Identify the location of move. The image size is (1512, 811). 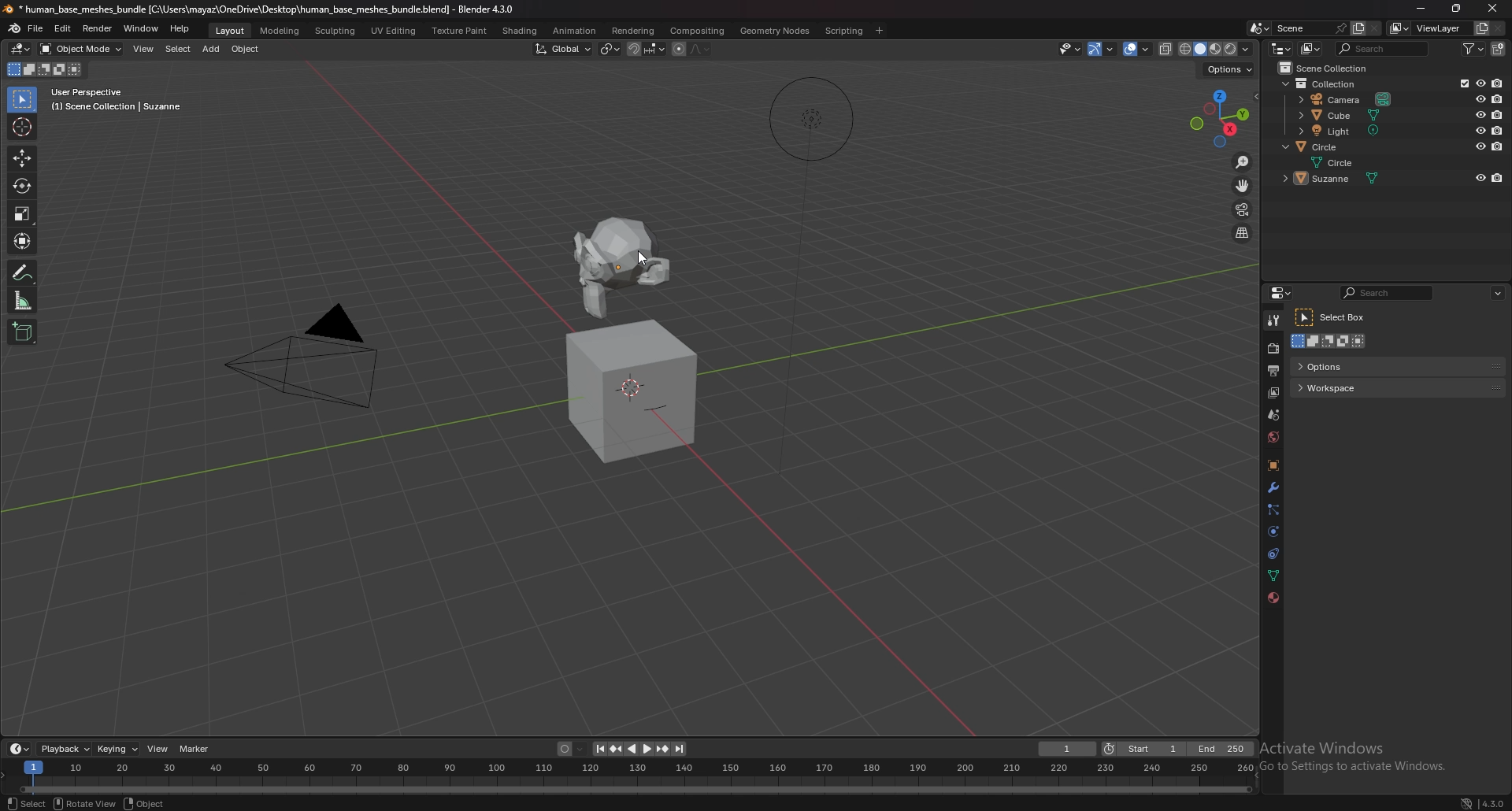
(22, 158).